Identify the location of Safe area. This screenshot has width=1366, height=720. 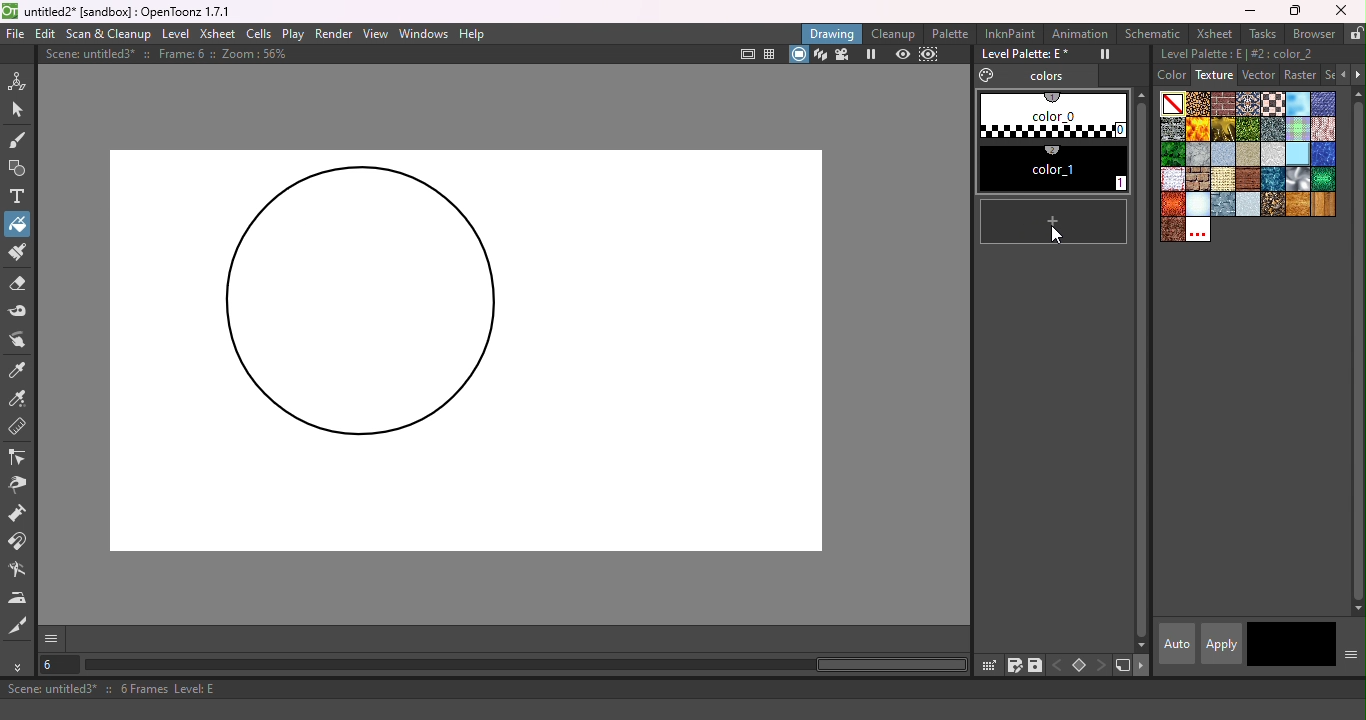
(748, 55).